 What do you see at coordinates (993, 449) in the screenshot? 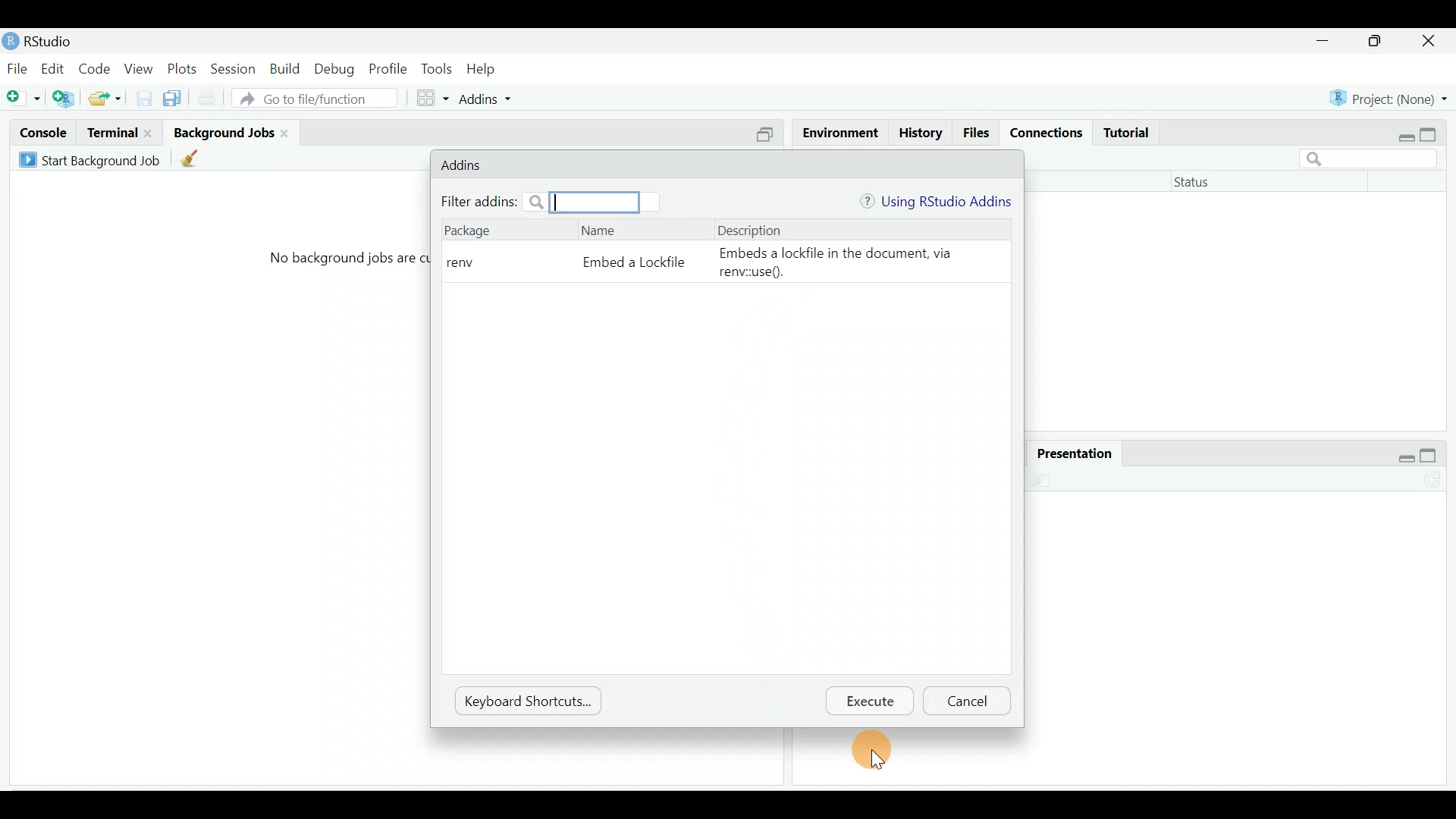
I see `Viewer` at bounding box center [993, 449].